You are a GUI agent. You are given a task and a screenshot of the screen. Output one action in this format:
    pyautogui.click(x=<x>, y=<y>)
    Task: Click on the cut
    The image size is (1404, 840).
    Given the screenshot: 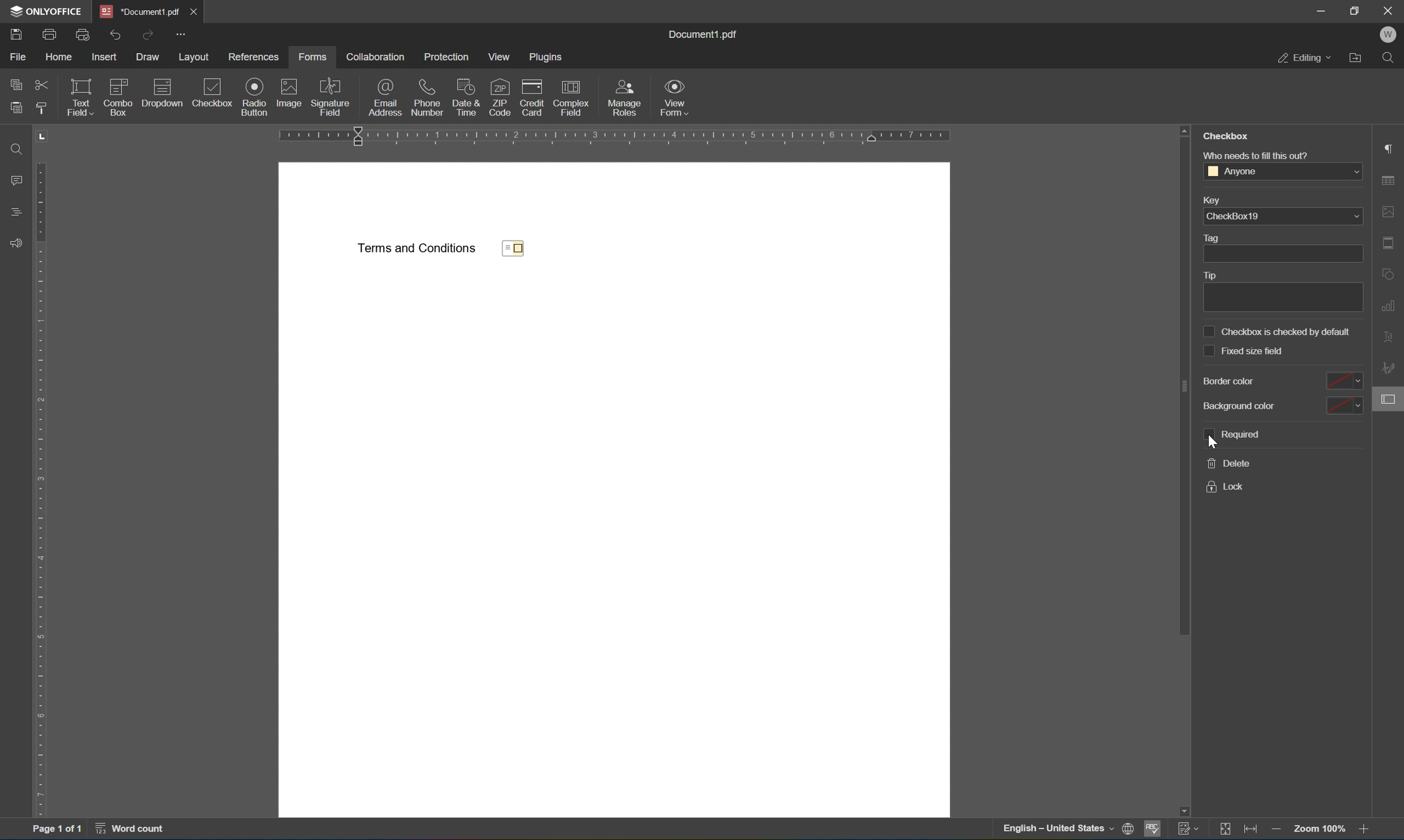 What is the action you would take?
    pyautogui.click(x=42, y=86)
    